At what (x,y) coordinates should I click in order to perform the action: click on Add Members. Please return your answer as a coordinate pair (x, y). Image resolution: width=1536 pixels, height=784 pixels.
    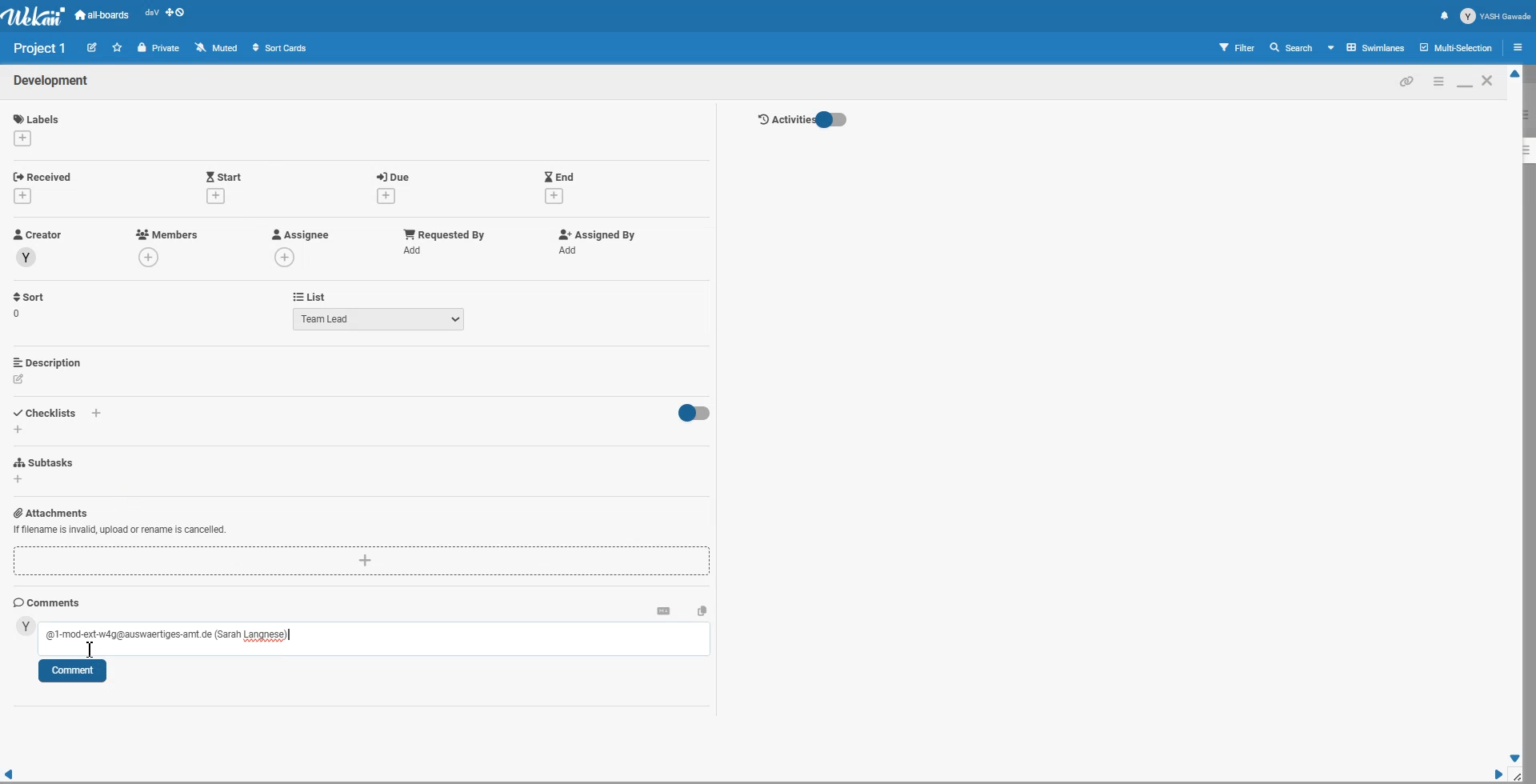
    Looking at the image, I should click on (168, 234).